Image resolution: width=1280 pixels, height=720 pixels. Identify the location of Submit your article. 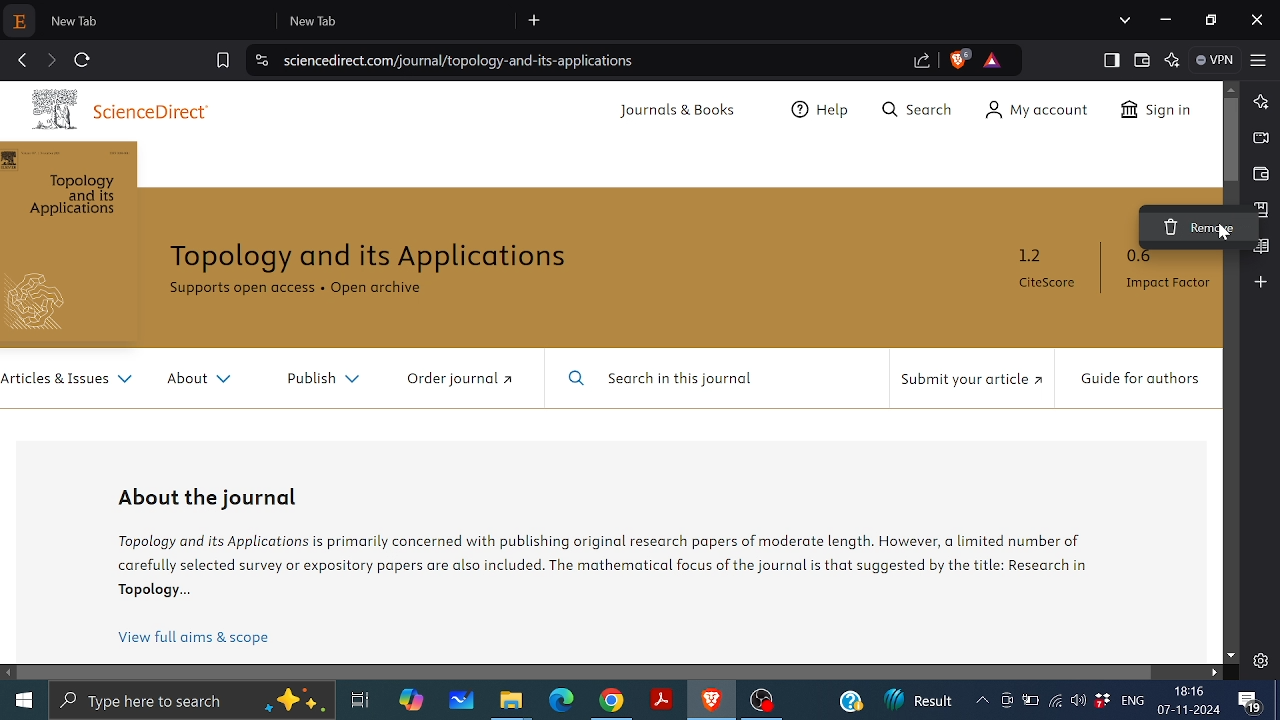
(970, 379).